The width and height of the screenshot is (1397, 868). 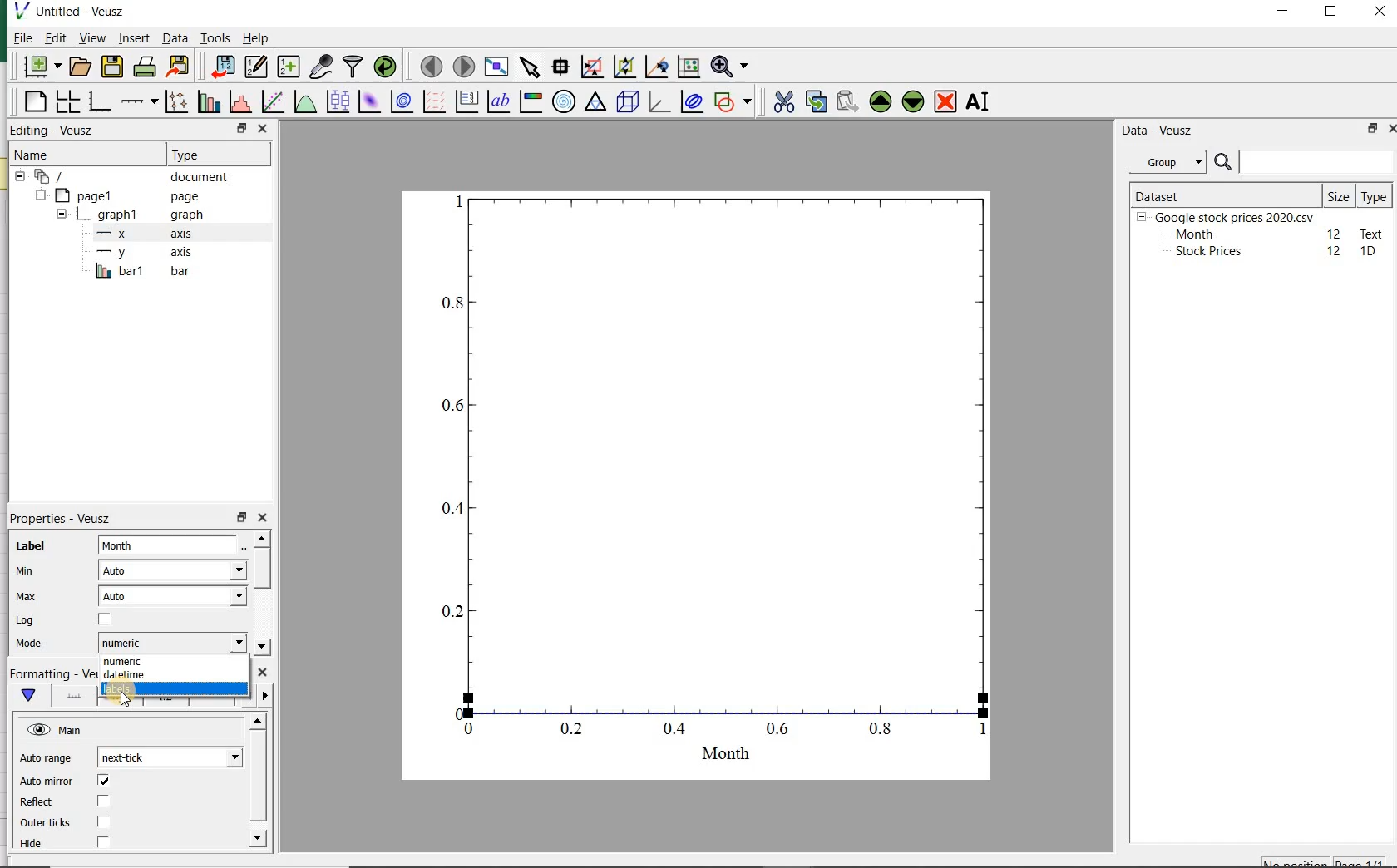 What do you see at coordinates (913, 101) in the screenshot?
I see `move the selected widget down` at bounding box center [913, 101].